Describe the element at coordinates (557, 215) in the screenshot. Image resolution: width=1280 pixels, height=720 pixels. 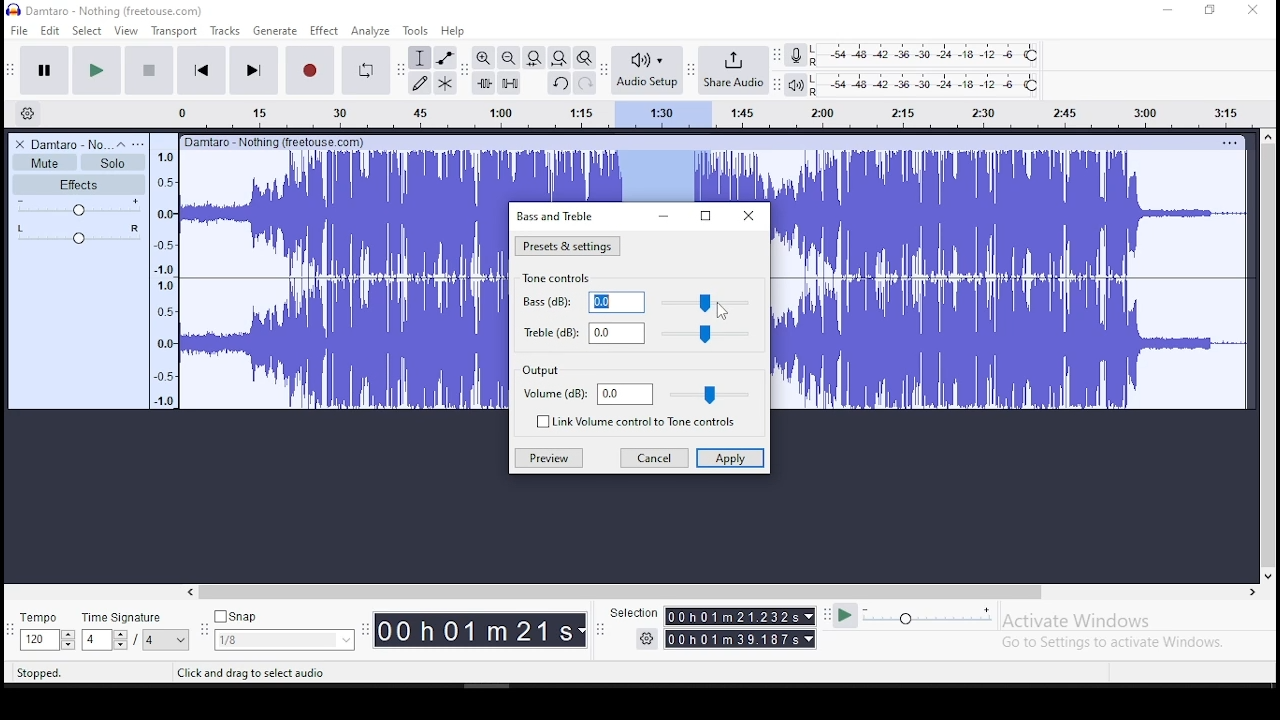
I see `bass and treble` at that location.